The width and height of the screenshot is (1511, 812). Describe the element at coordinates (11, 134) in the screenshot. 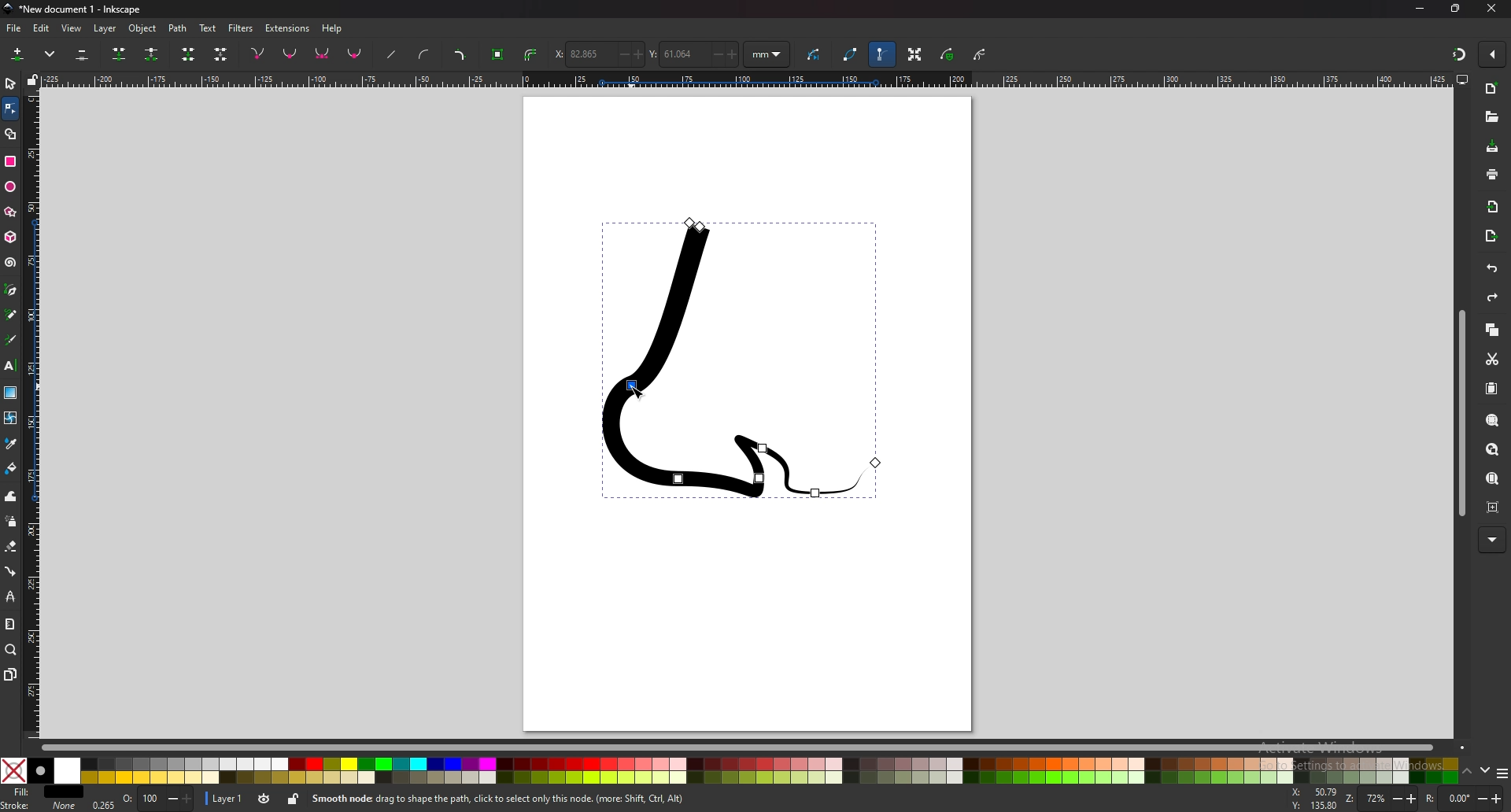

I see `shape builder` at that location.